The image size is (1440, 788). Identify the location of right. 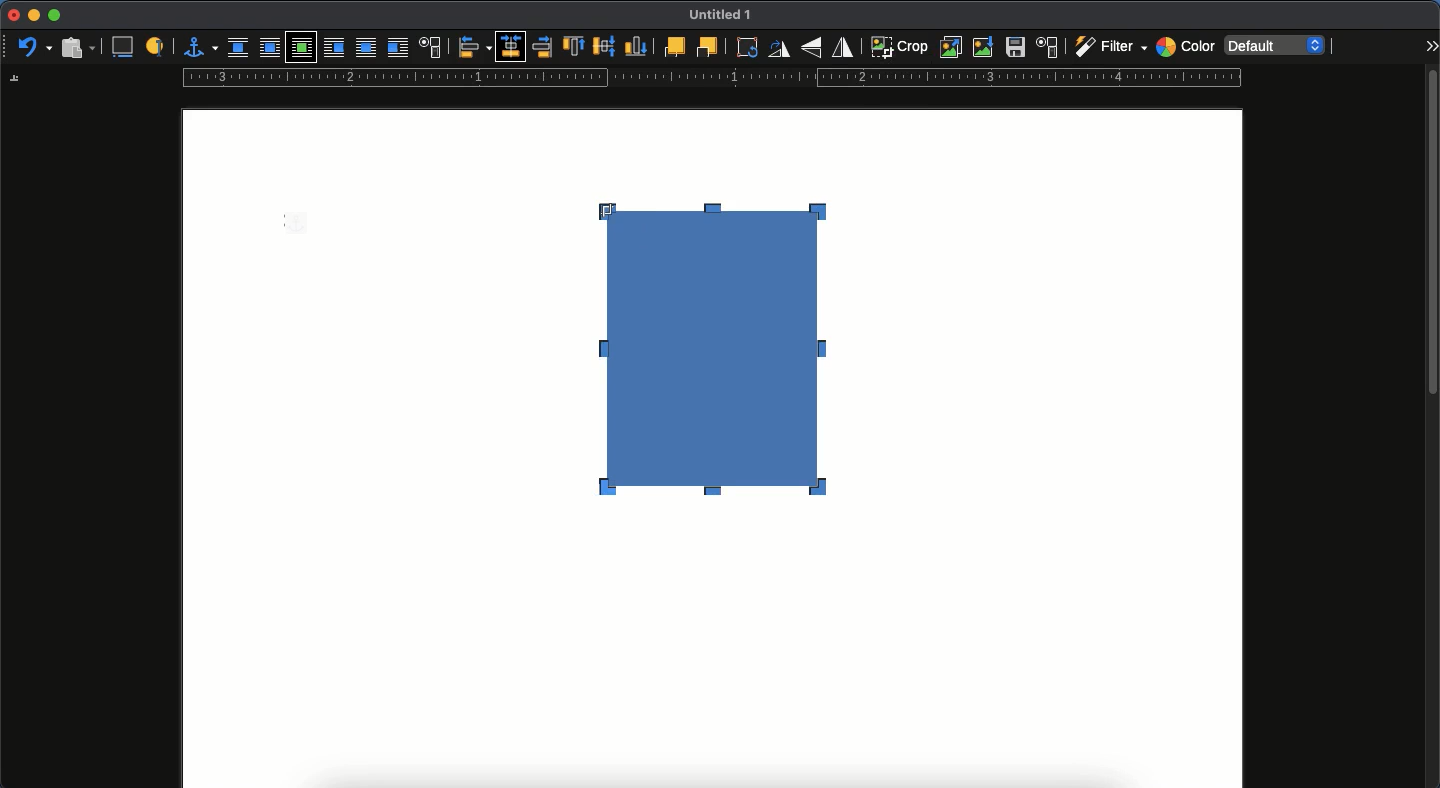
(544, 47).